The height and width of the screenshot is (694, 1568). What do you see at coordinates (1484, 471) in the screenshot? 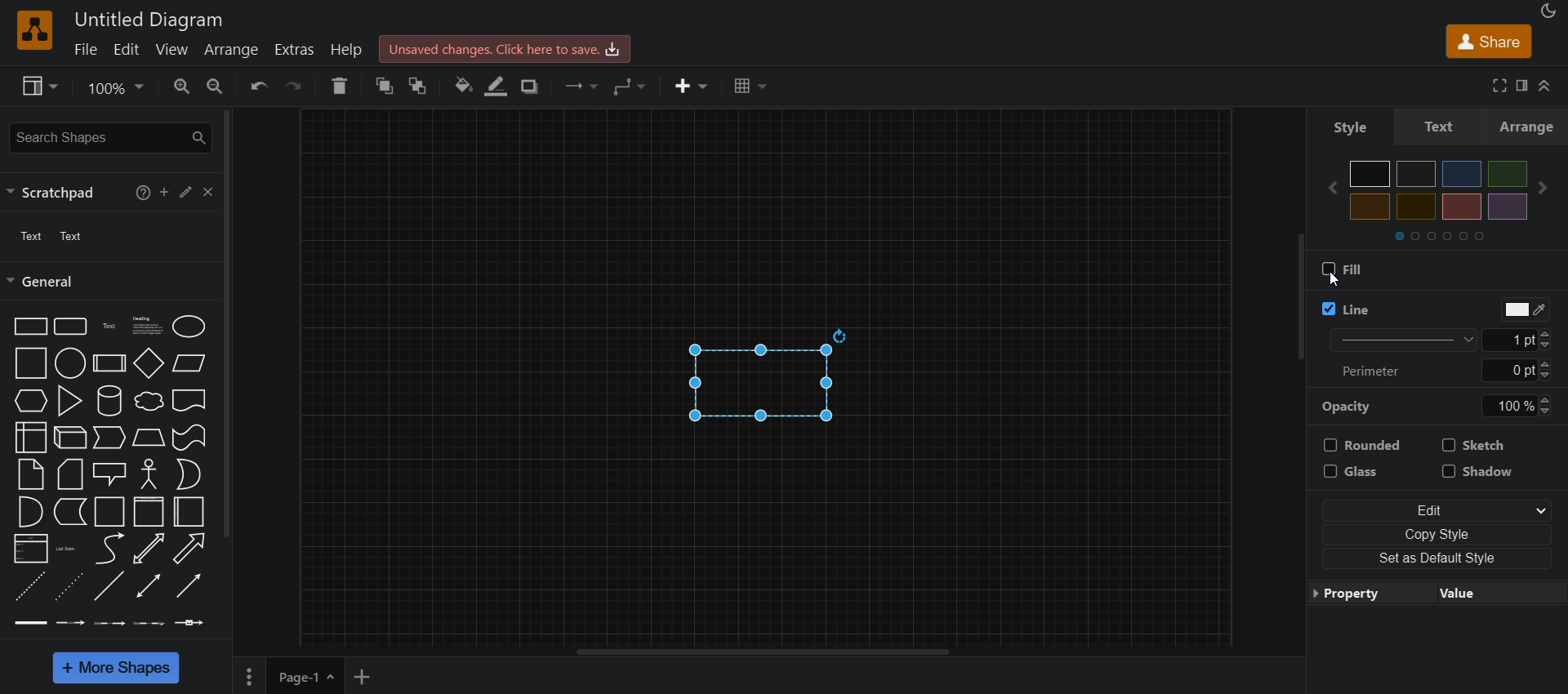
I see `shadow` at bounding box center [1484, 471].